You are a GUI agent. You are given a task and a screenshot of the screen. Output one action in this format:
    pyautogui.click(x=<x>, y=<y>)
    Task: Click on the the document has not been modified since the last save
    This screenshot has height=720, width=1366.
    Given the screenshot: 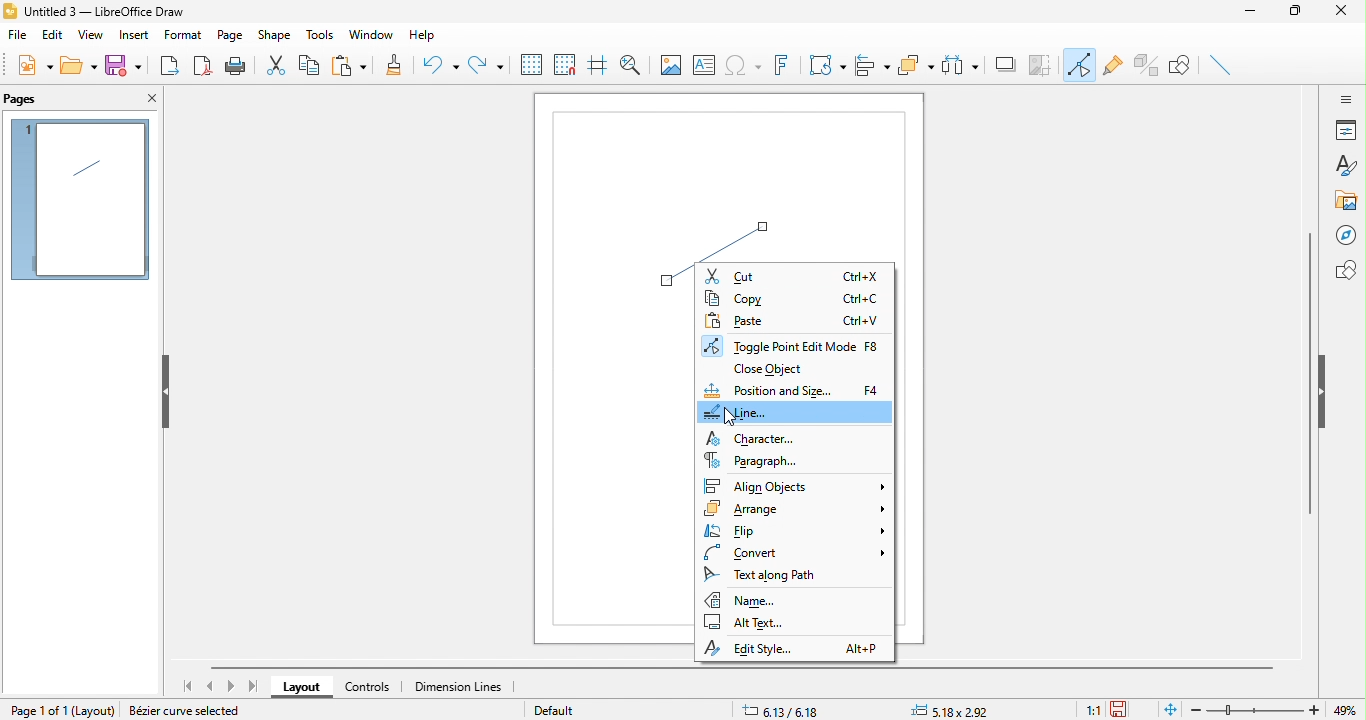 What is the action you would take?
    pyautogui.click(x=1127, y=709)
    